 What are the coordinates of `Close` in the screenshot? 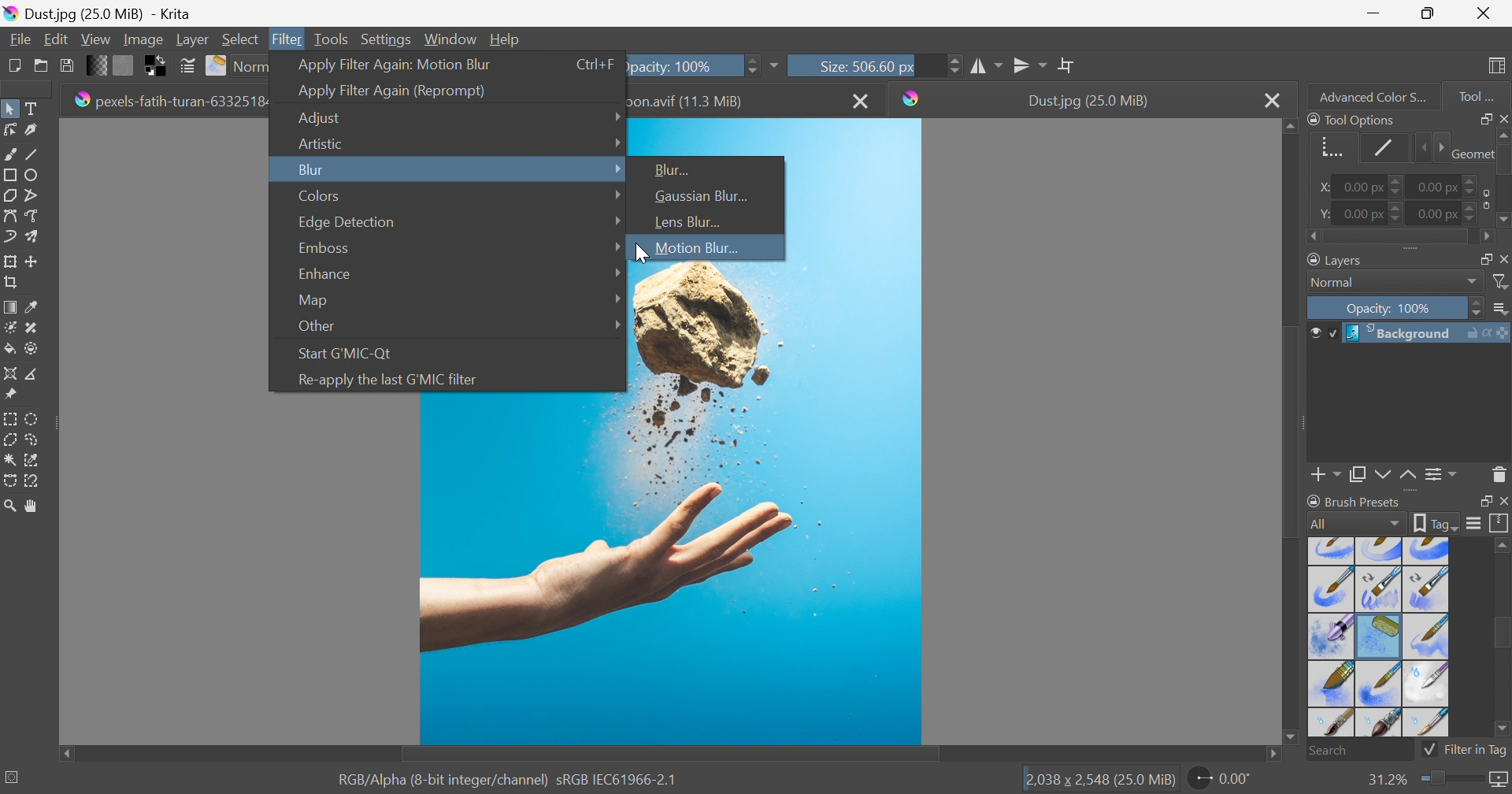 It's located at (862, 100).